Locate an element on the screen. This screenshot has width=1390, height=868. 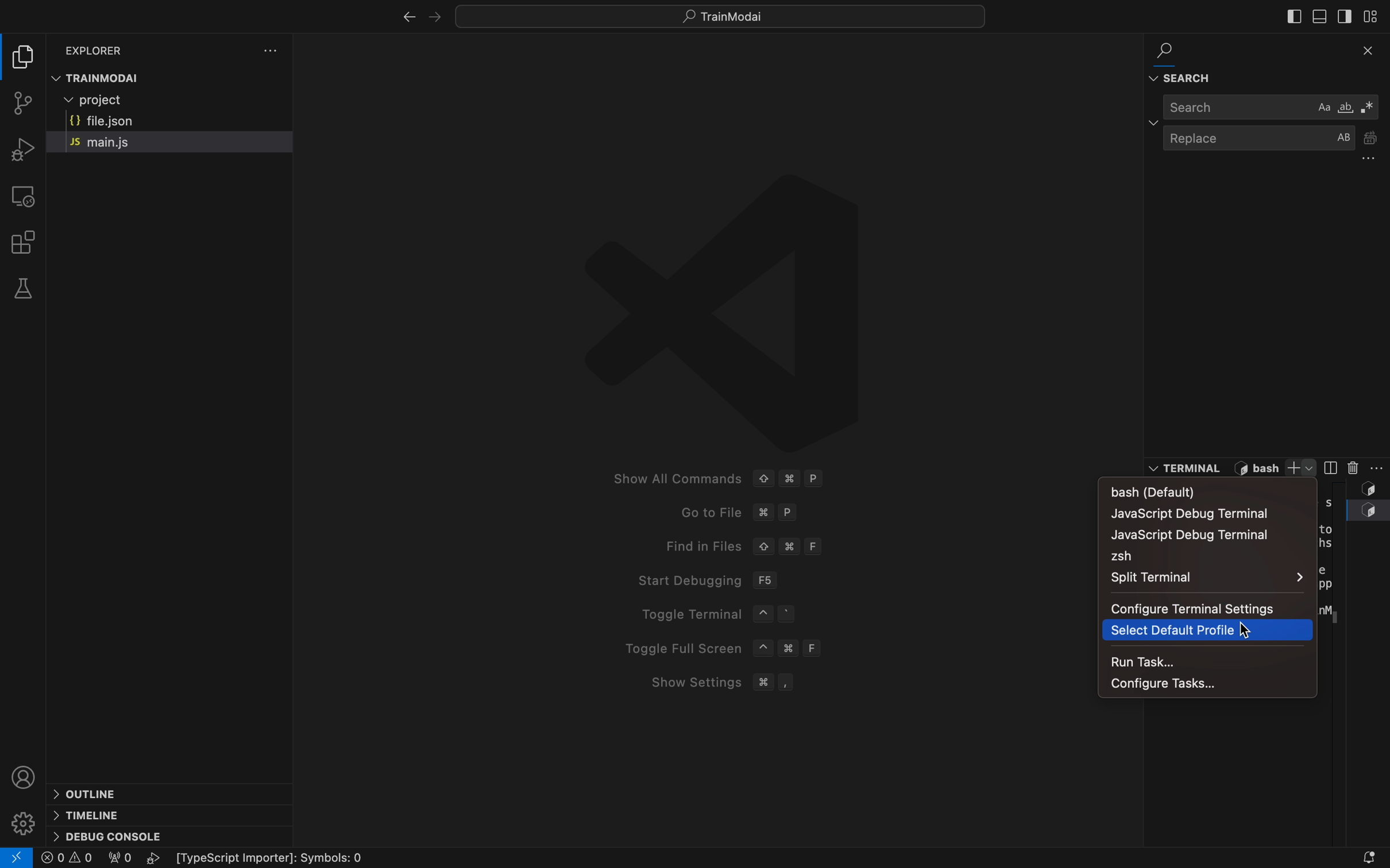
git is located at coordinates (25, 105).